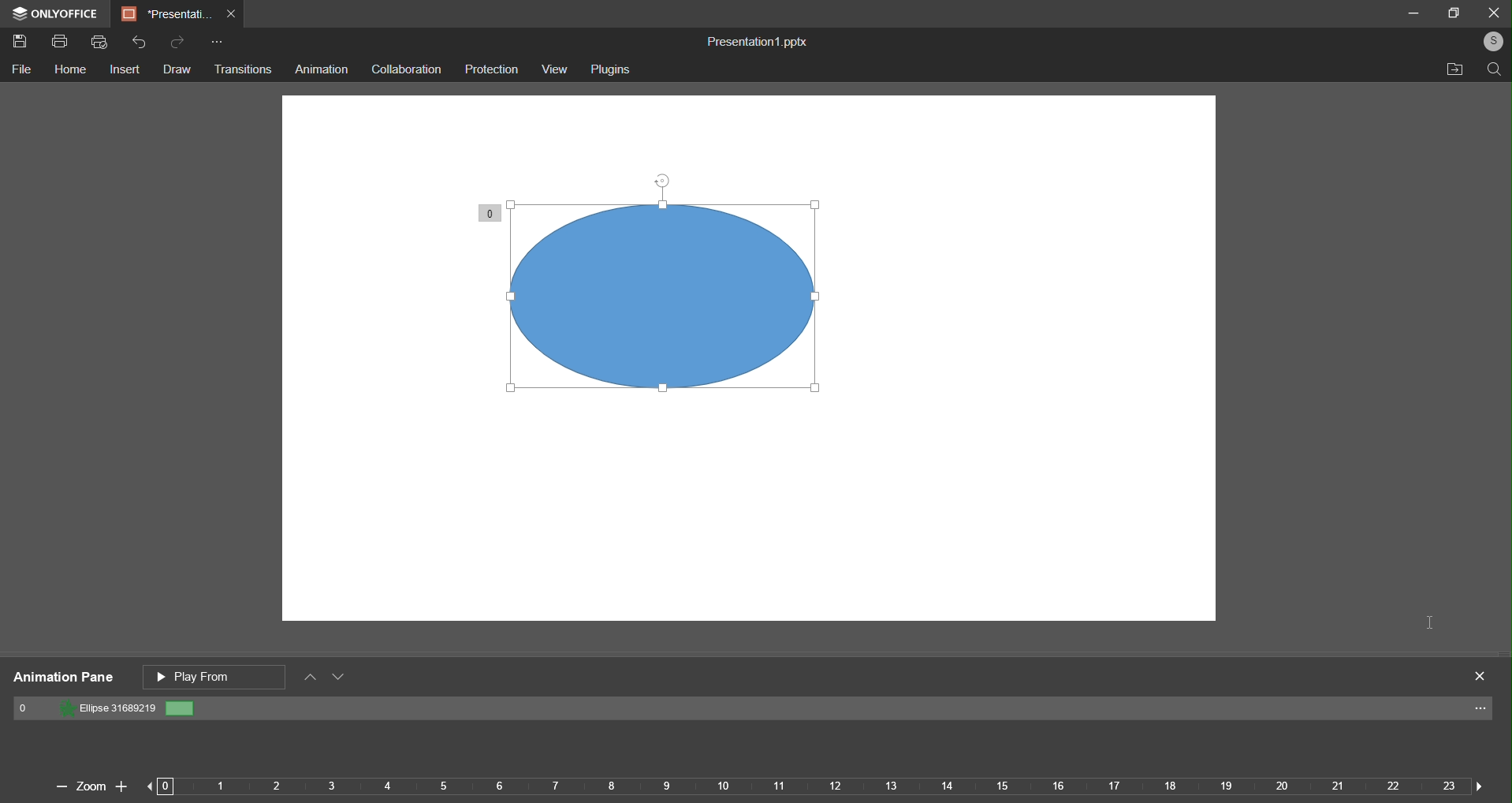  I want to click on cursor, so click(1426, 621).